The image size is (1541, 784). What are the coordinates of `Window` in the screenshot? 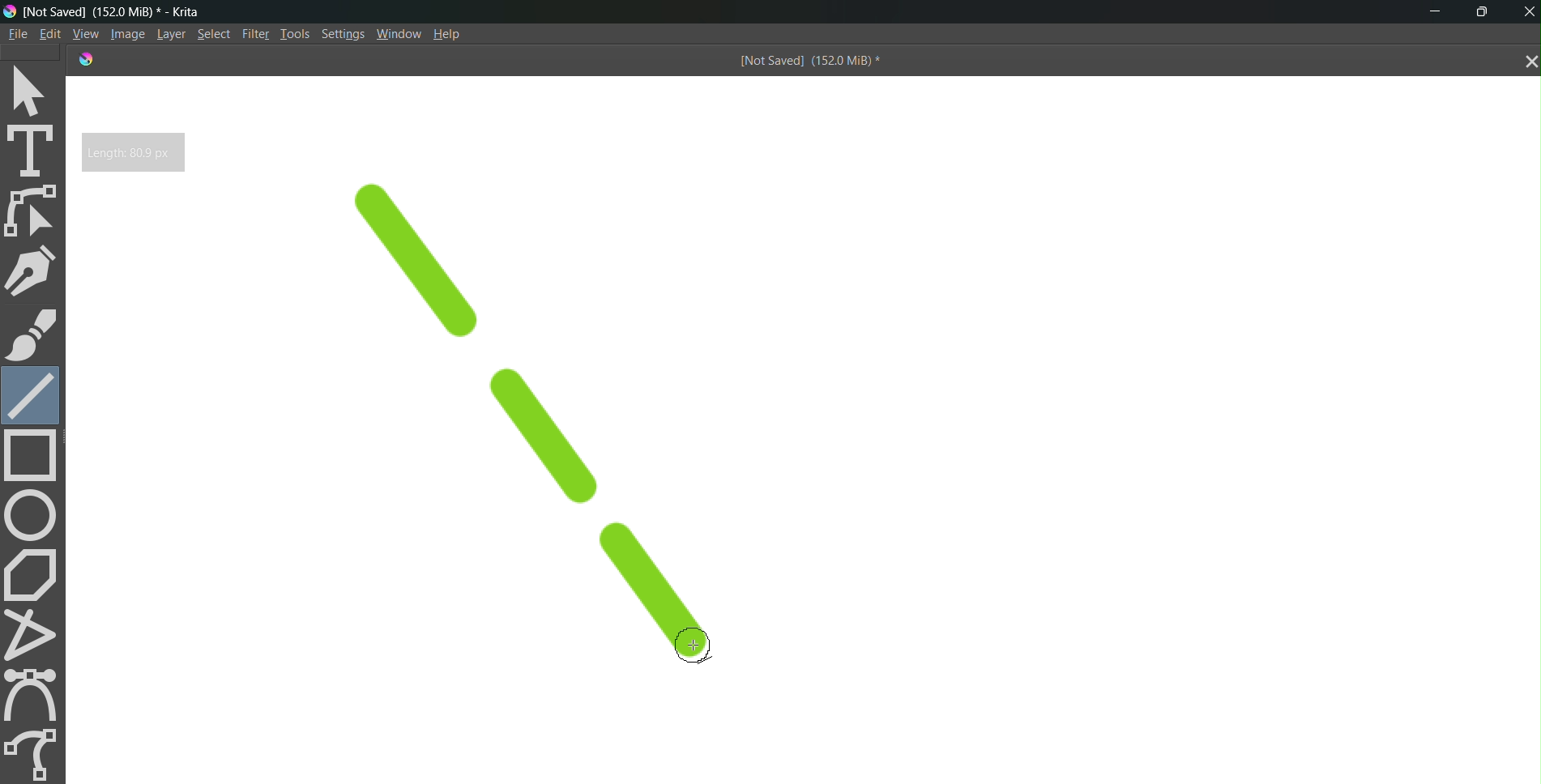 It's located at (399, 34).